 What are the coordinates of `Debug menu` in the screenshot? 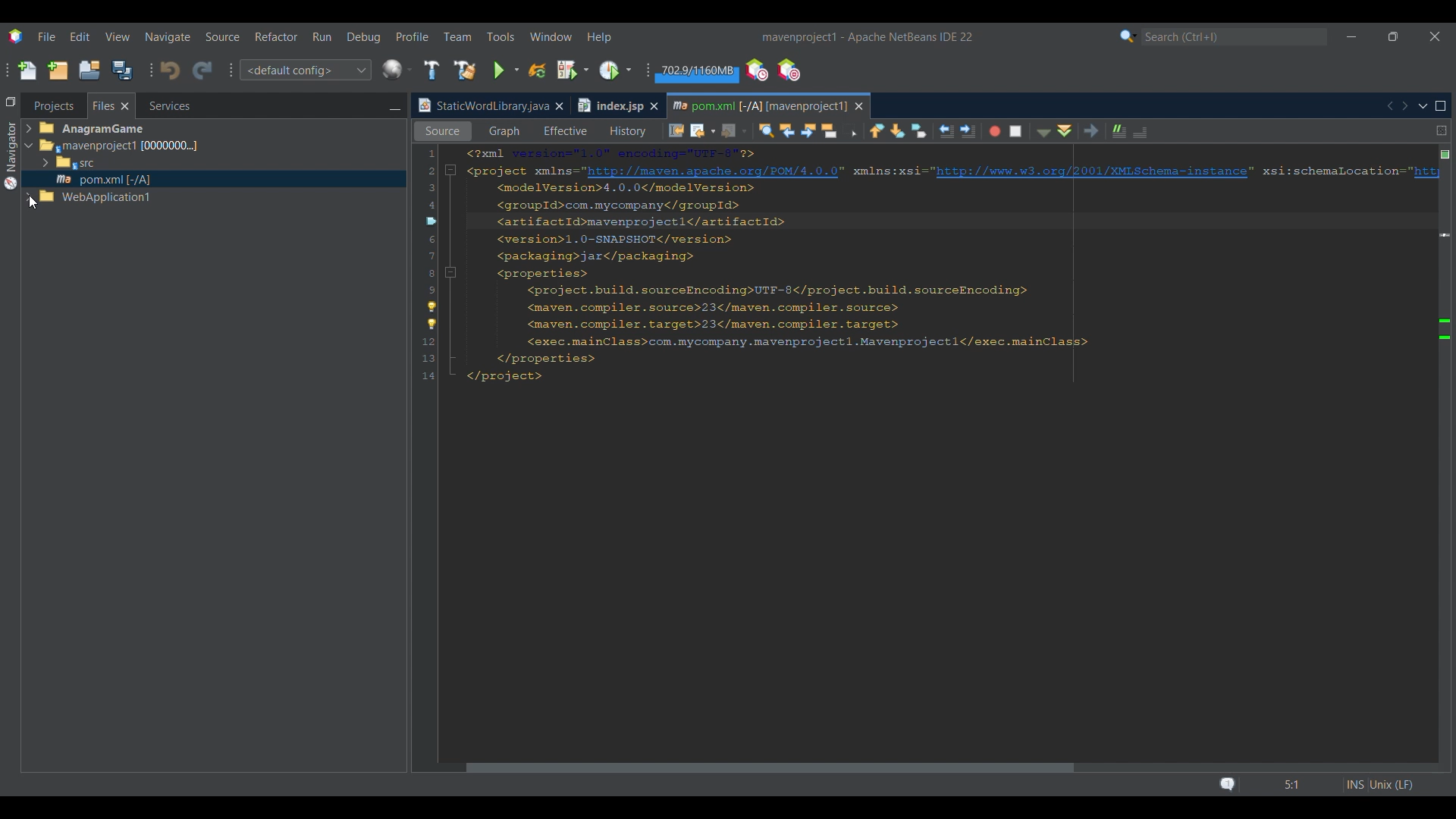 It's located at (364, 37).